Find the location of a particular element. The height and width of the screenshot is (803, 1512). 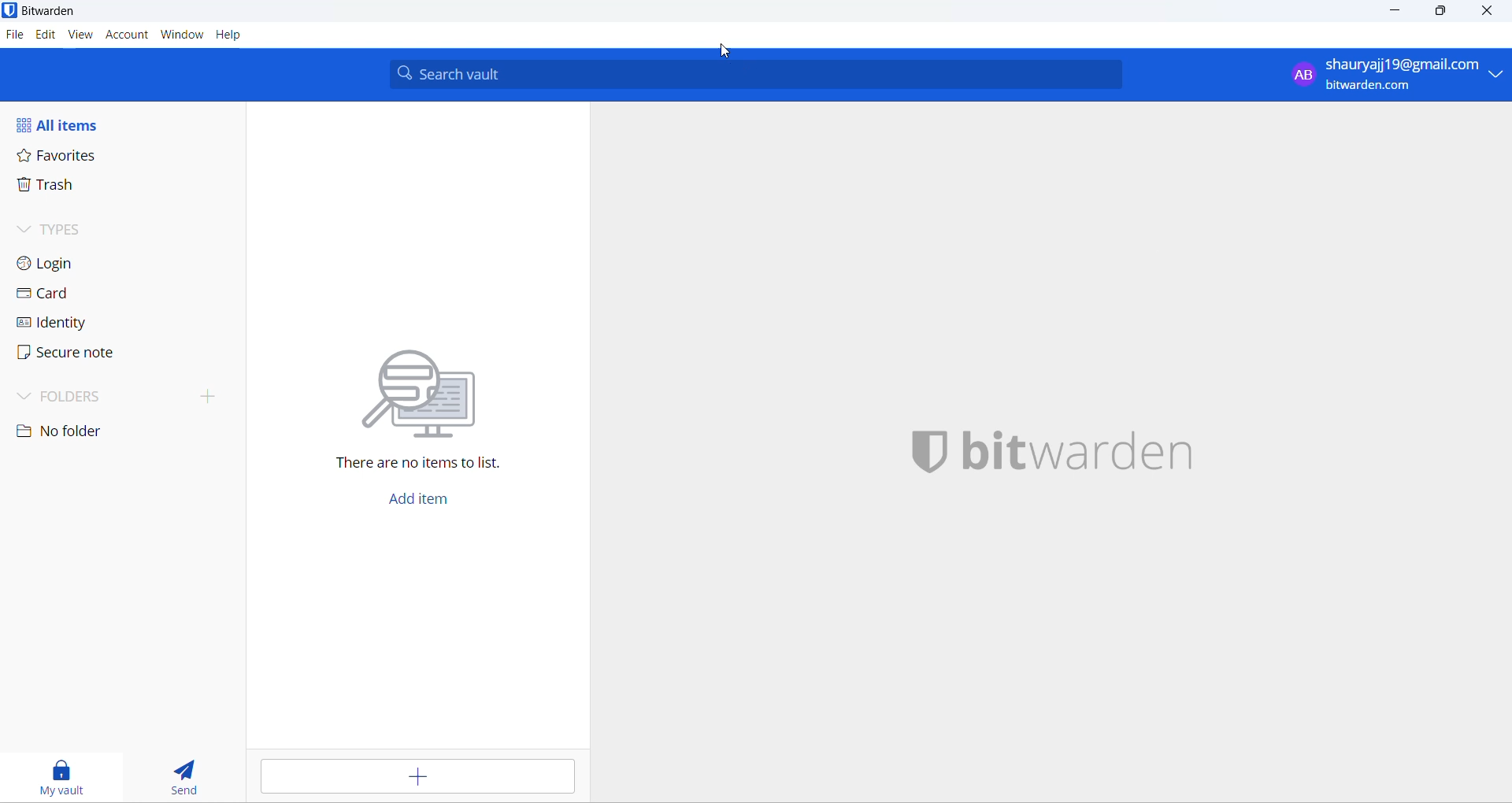

view is located at coordinates (81, 34).